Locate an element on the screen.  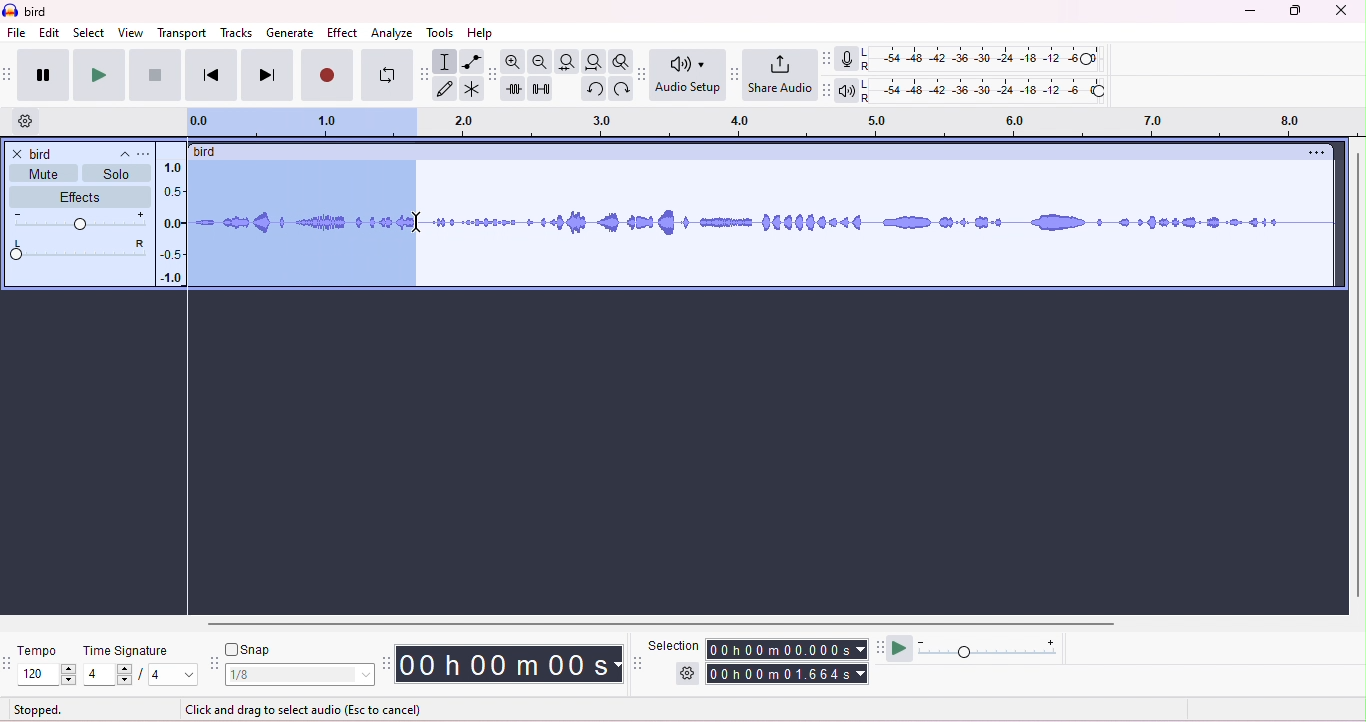
pause is located at coordinates (44, 75).